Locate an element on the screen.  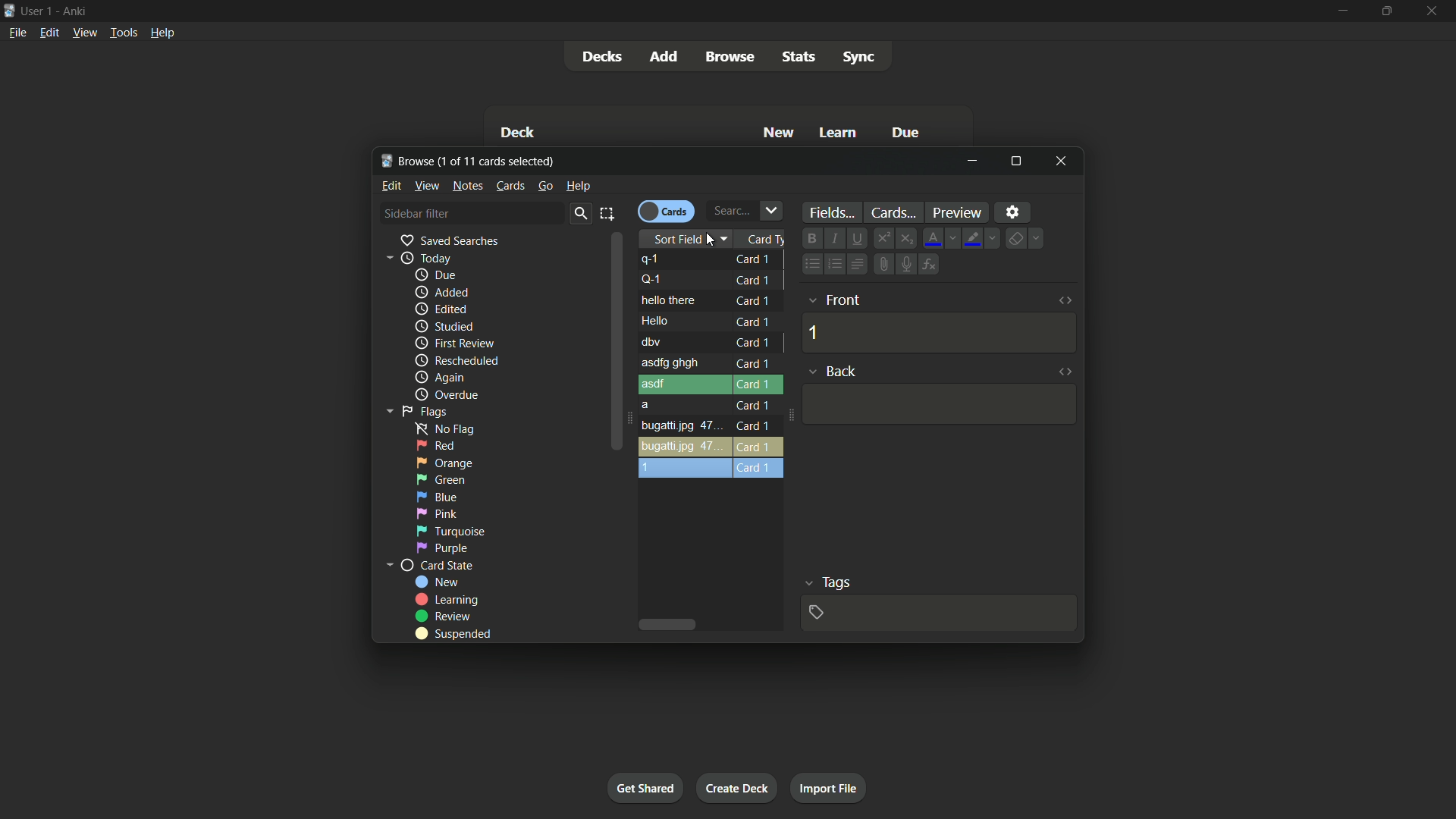
add tag is located at coordinates (817, 612).